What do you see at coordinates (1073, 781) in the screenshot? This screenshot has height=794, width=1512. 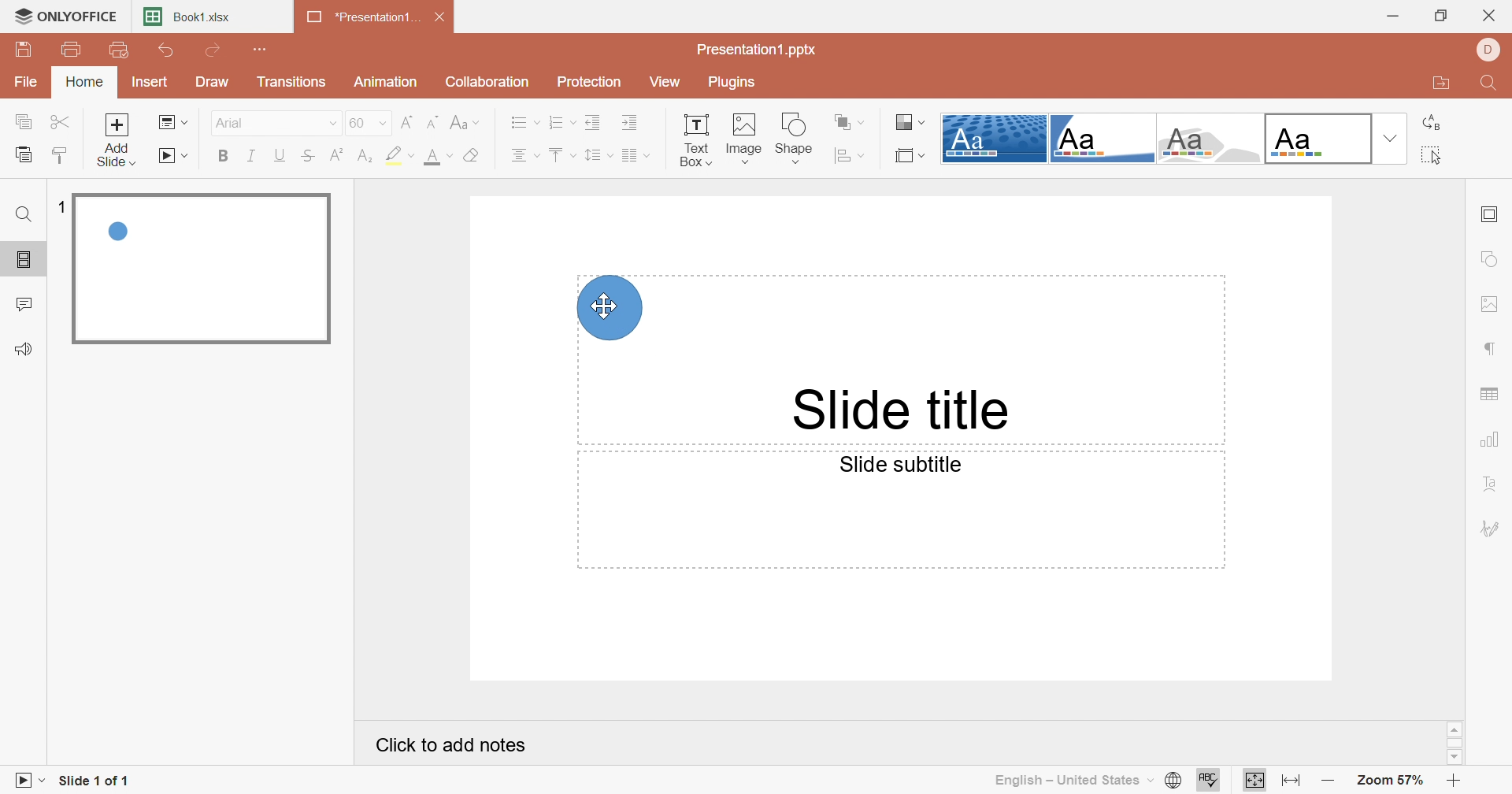 I see `English - United States` at bounding box center [1073, 781].